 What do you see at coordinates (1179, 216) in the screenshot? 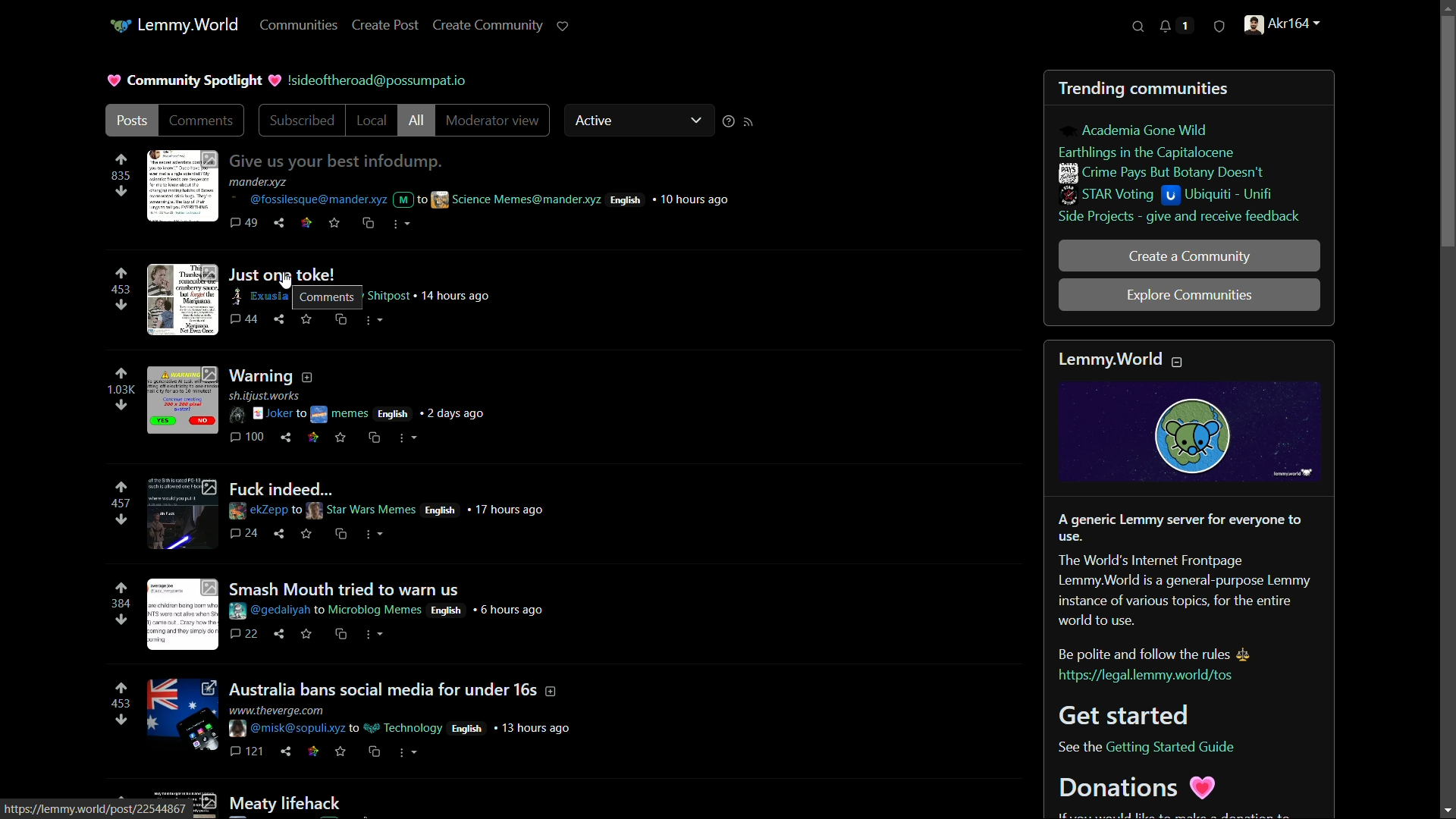
I see `side projects - give and receive feedback` at bounding box center [1179, 216].